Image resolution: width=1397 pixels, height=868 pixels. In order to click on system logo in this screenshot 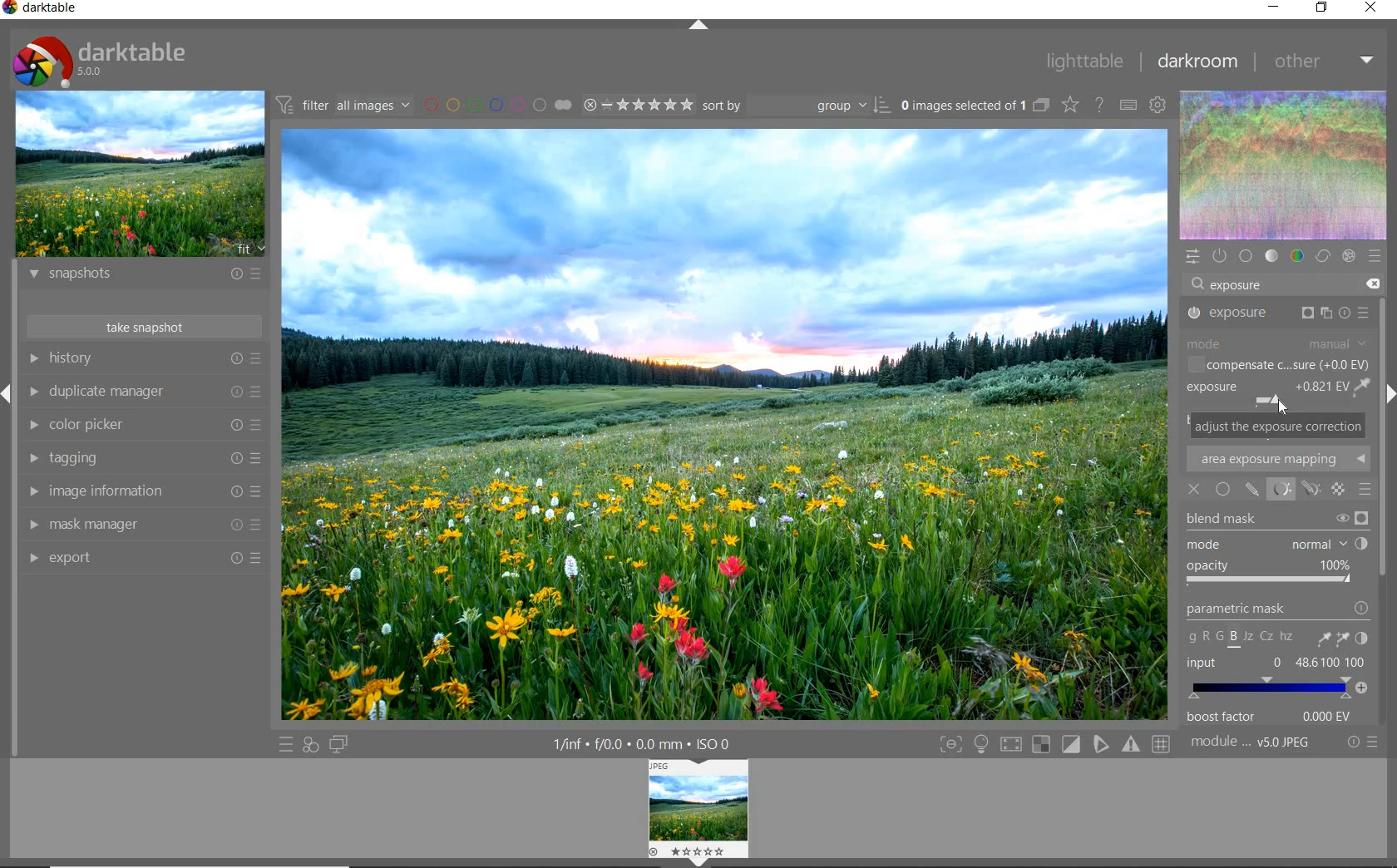, I will do `click(101, 60)`.